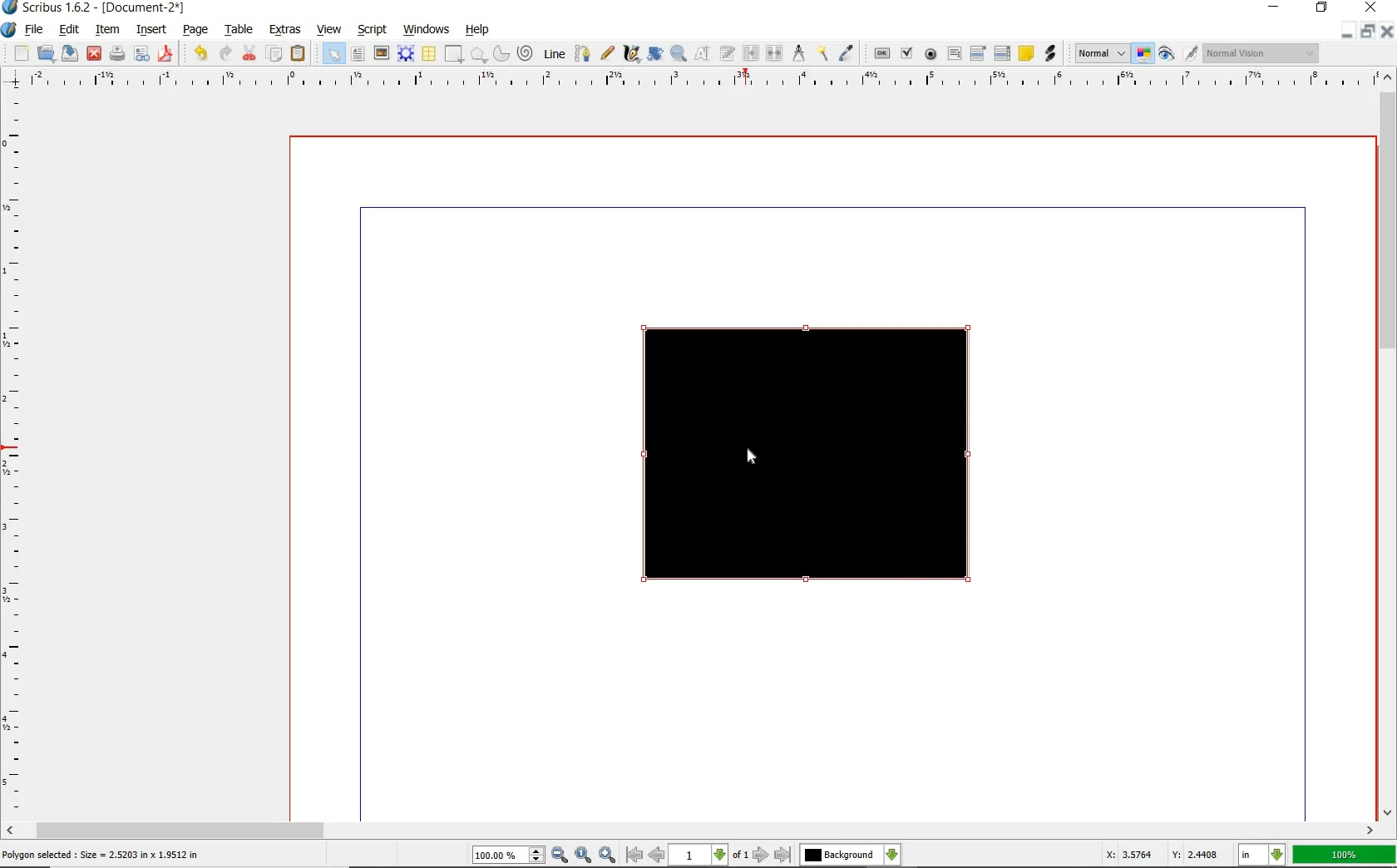 The width and height of the screenshot is (1397, 868). I want to click on shape, so click(807, 455).